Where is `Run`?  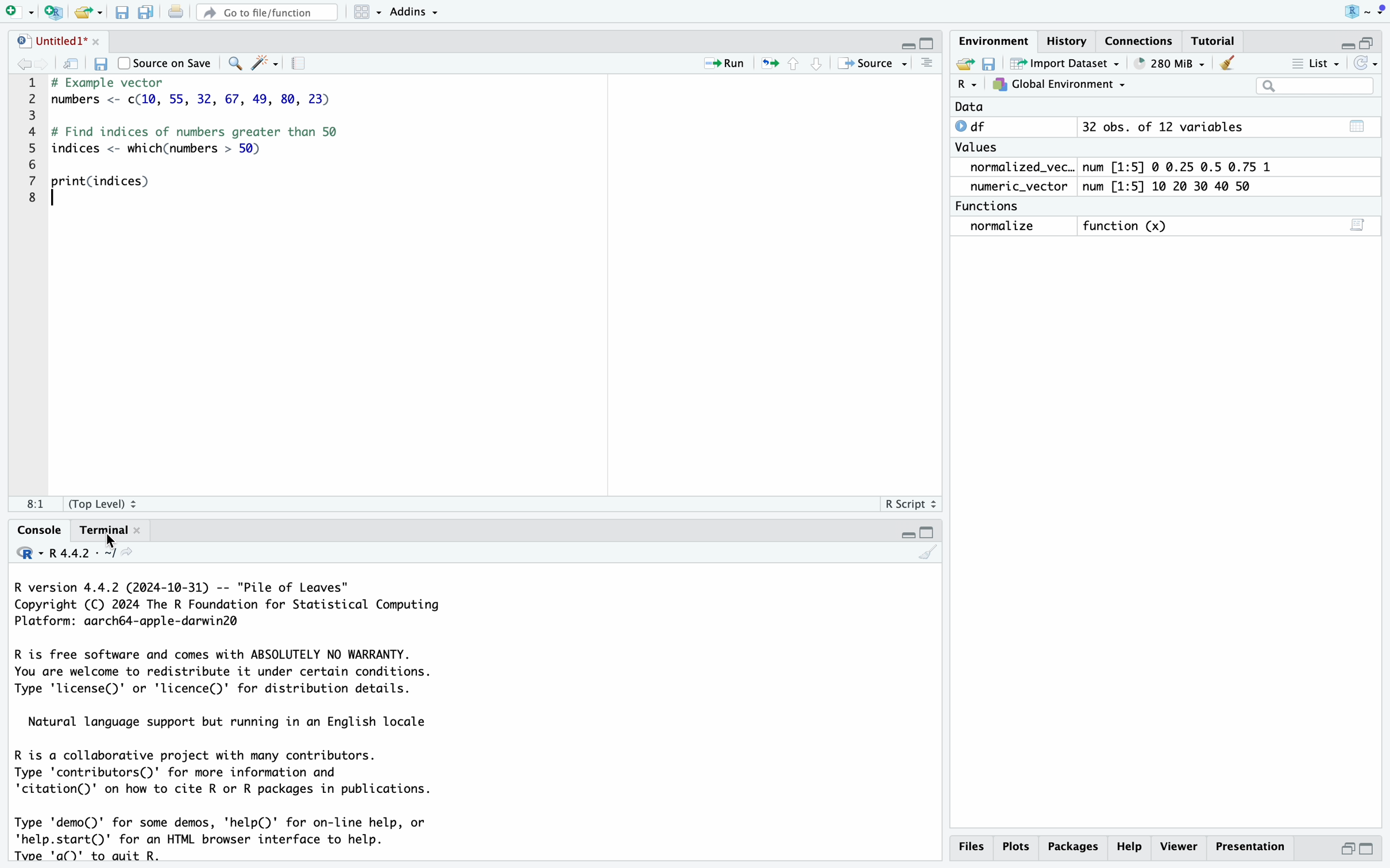 Run is located at coordinates (716, 61).